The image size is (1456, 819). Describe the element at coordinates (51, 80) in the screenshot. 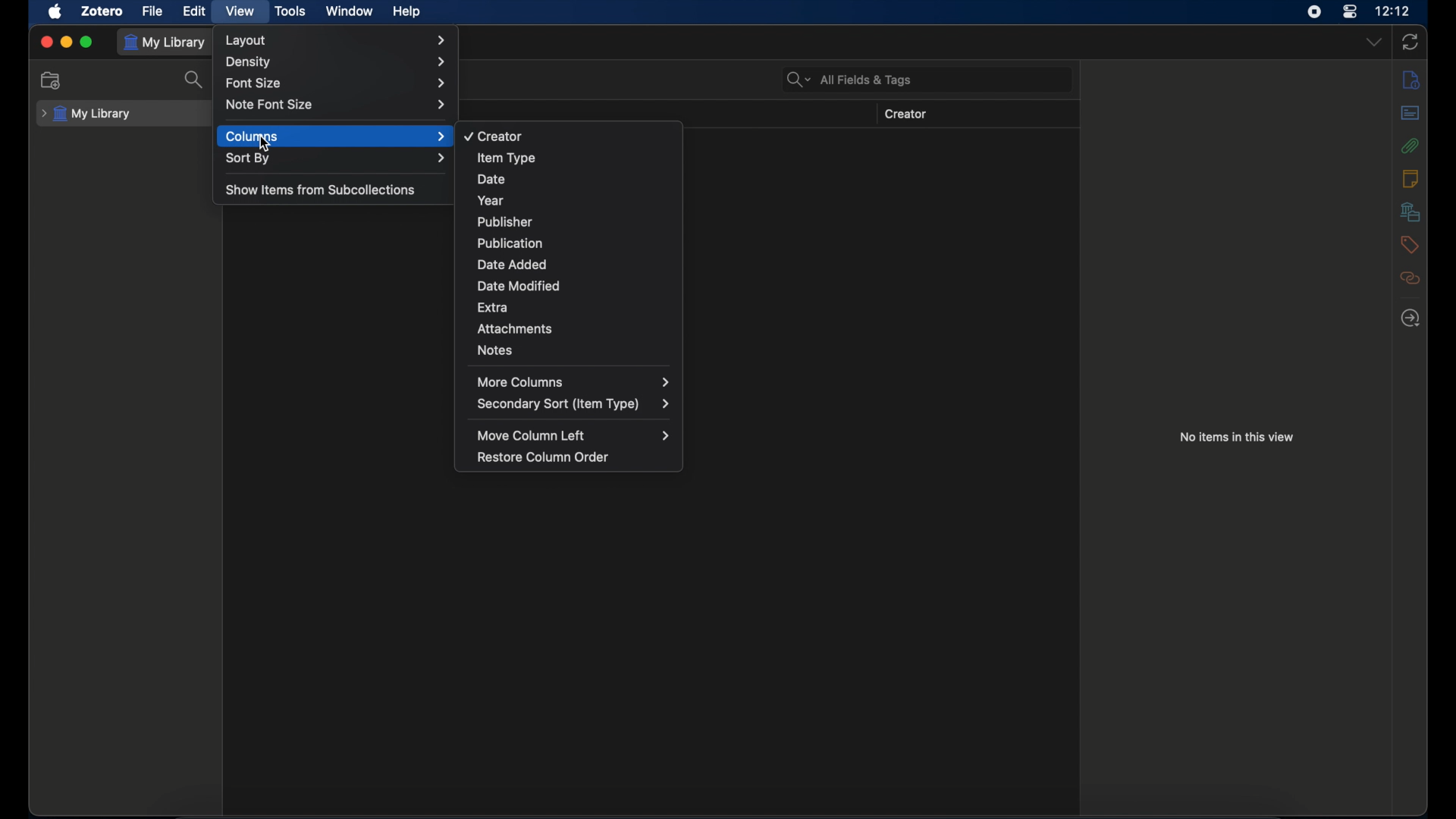

I see `new collection` at that location.